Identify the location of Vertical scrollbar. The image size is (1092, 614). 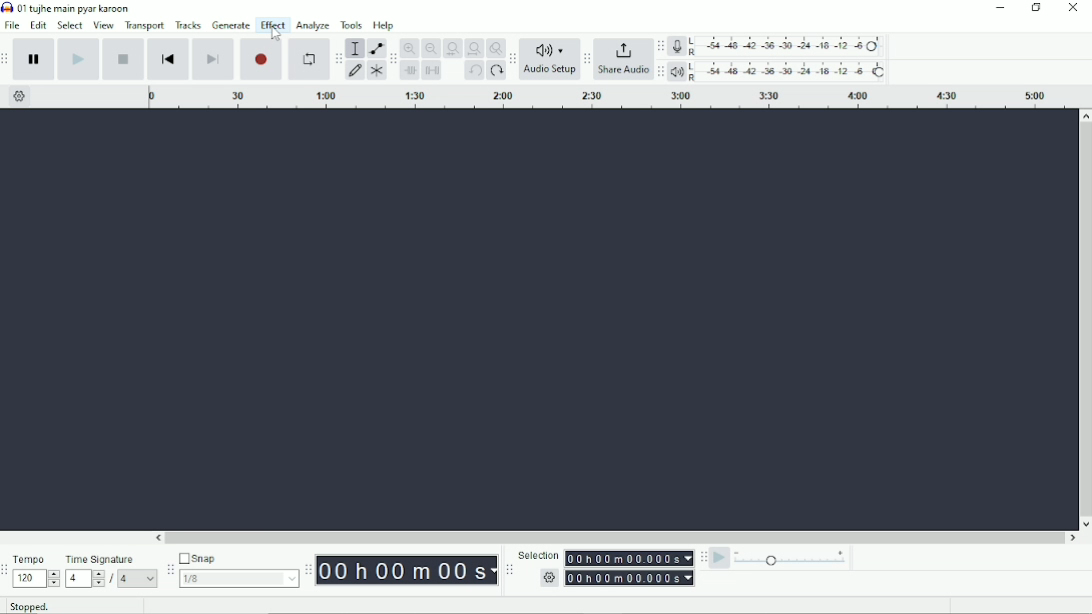
(1085, 318).